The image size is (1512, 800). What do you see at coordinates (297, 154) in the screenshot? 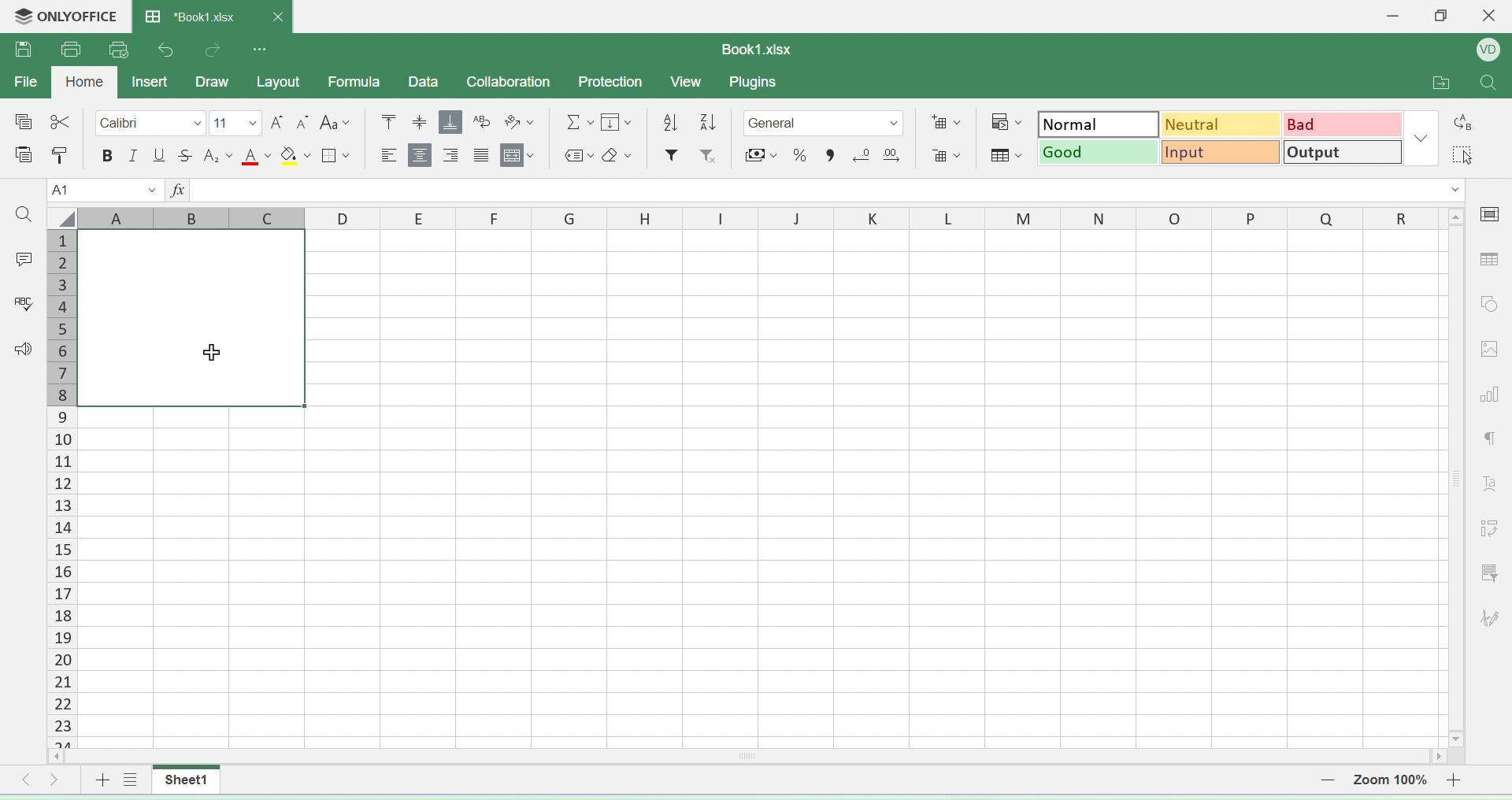
I see `fill paint` at bounding box center [297, 154].